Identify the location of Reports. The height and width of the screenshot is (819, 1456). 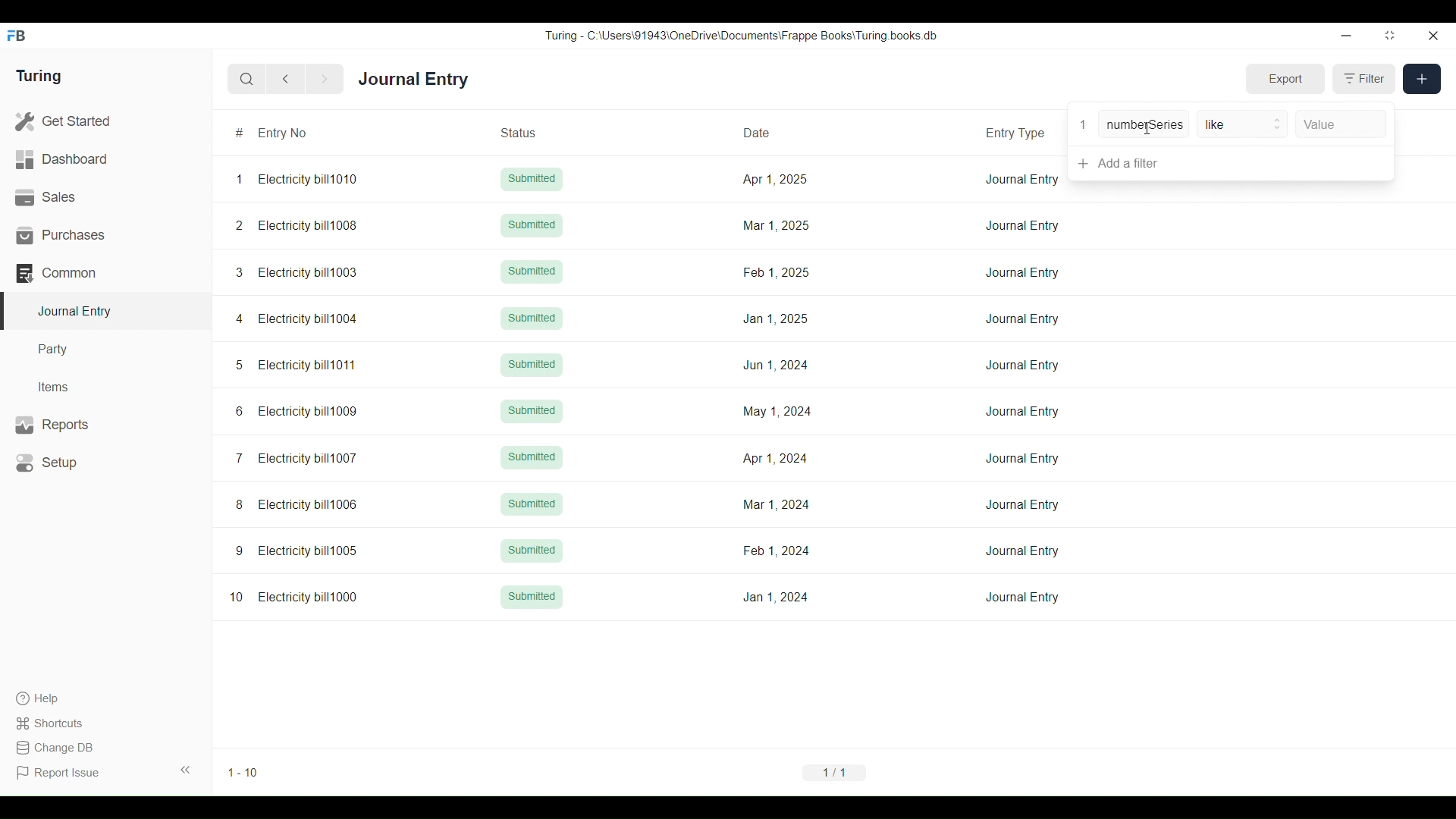
(107, 425).